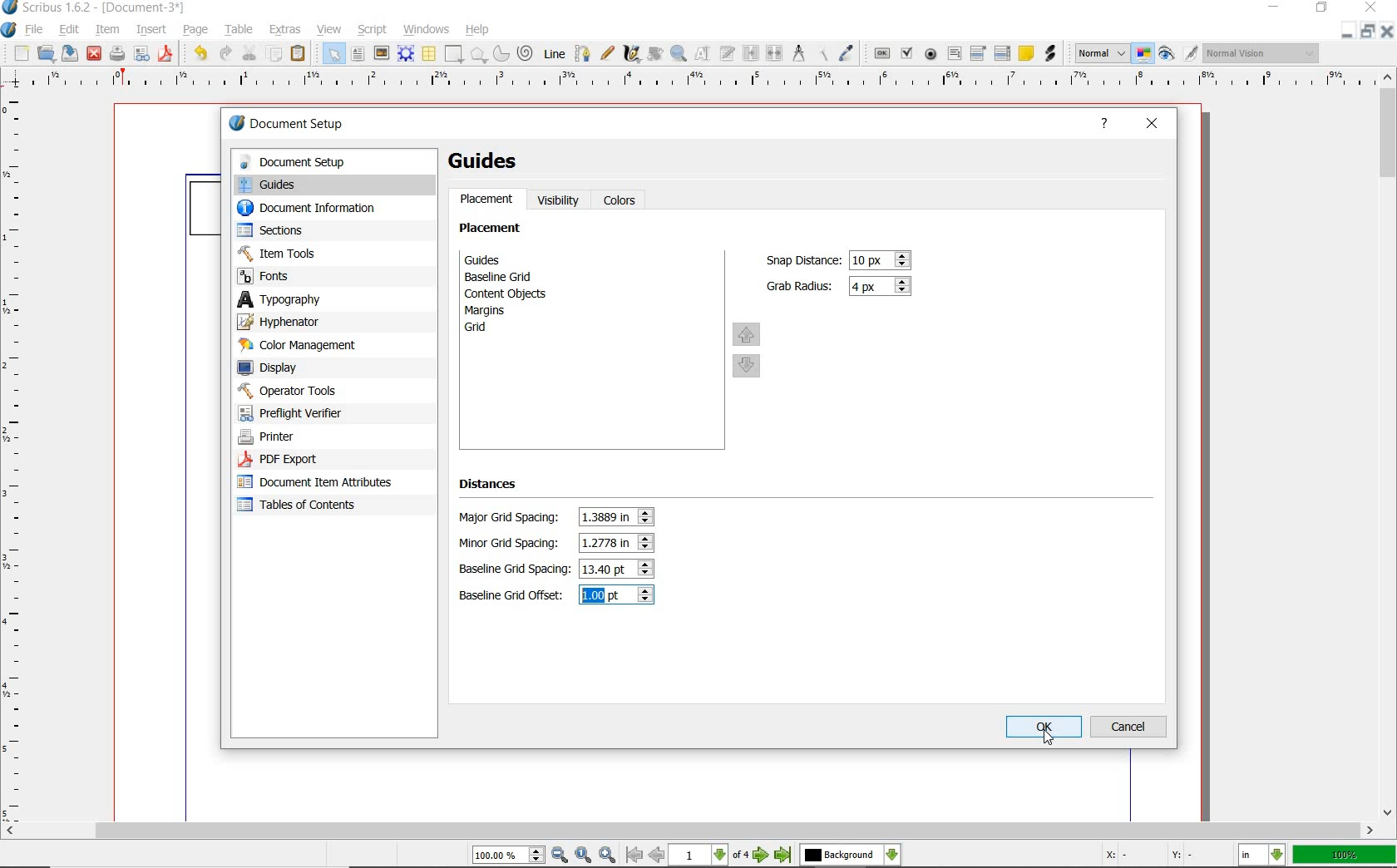 The image size is (1397, 868). Describe the element at coordinates (1153, 124) in the screenshot. I see `close` at that location.